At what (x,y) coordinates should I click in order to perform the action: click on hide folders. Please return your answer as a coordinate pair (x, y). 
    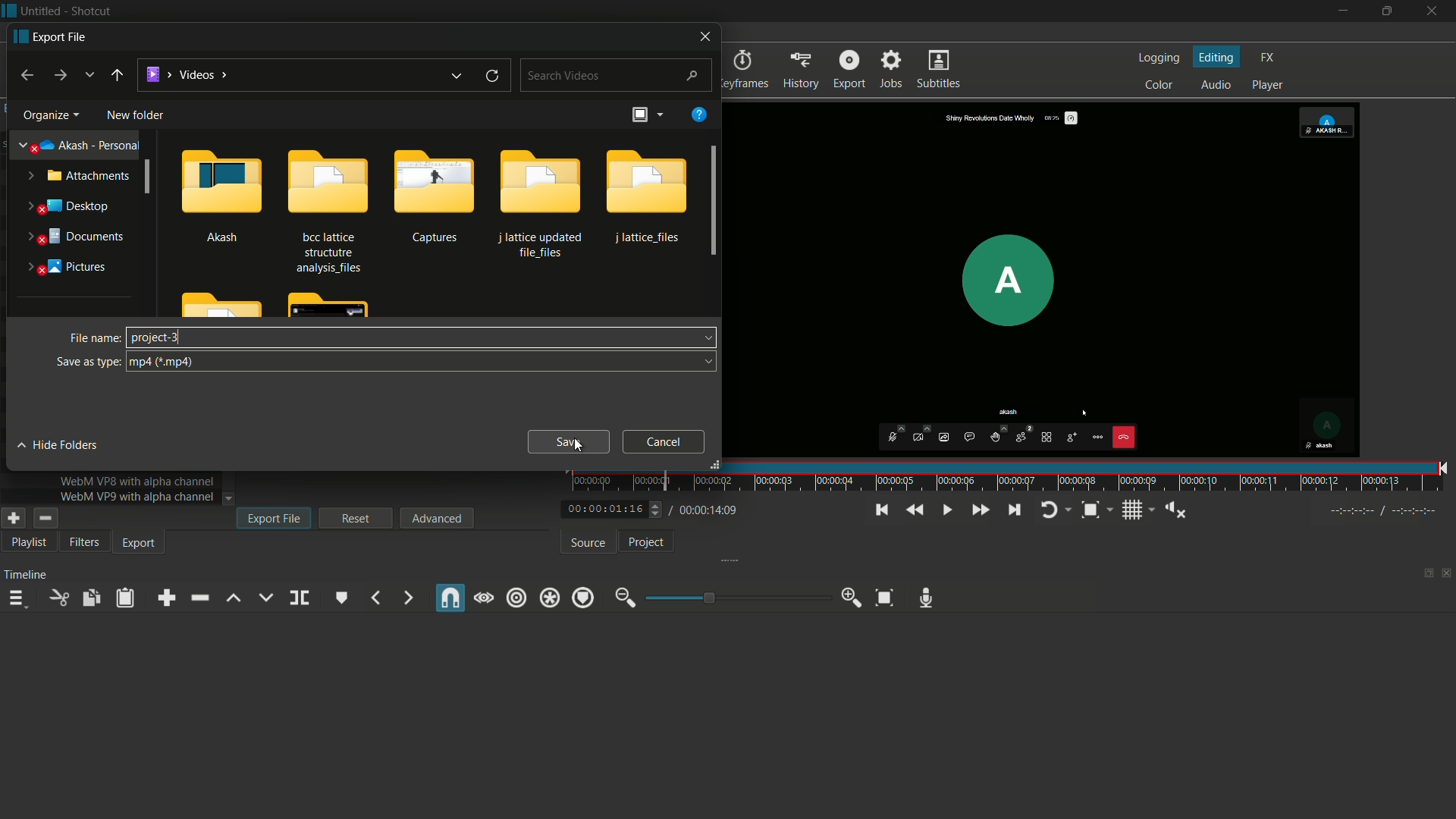
    Looking at the image, I should click on (60, 445).